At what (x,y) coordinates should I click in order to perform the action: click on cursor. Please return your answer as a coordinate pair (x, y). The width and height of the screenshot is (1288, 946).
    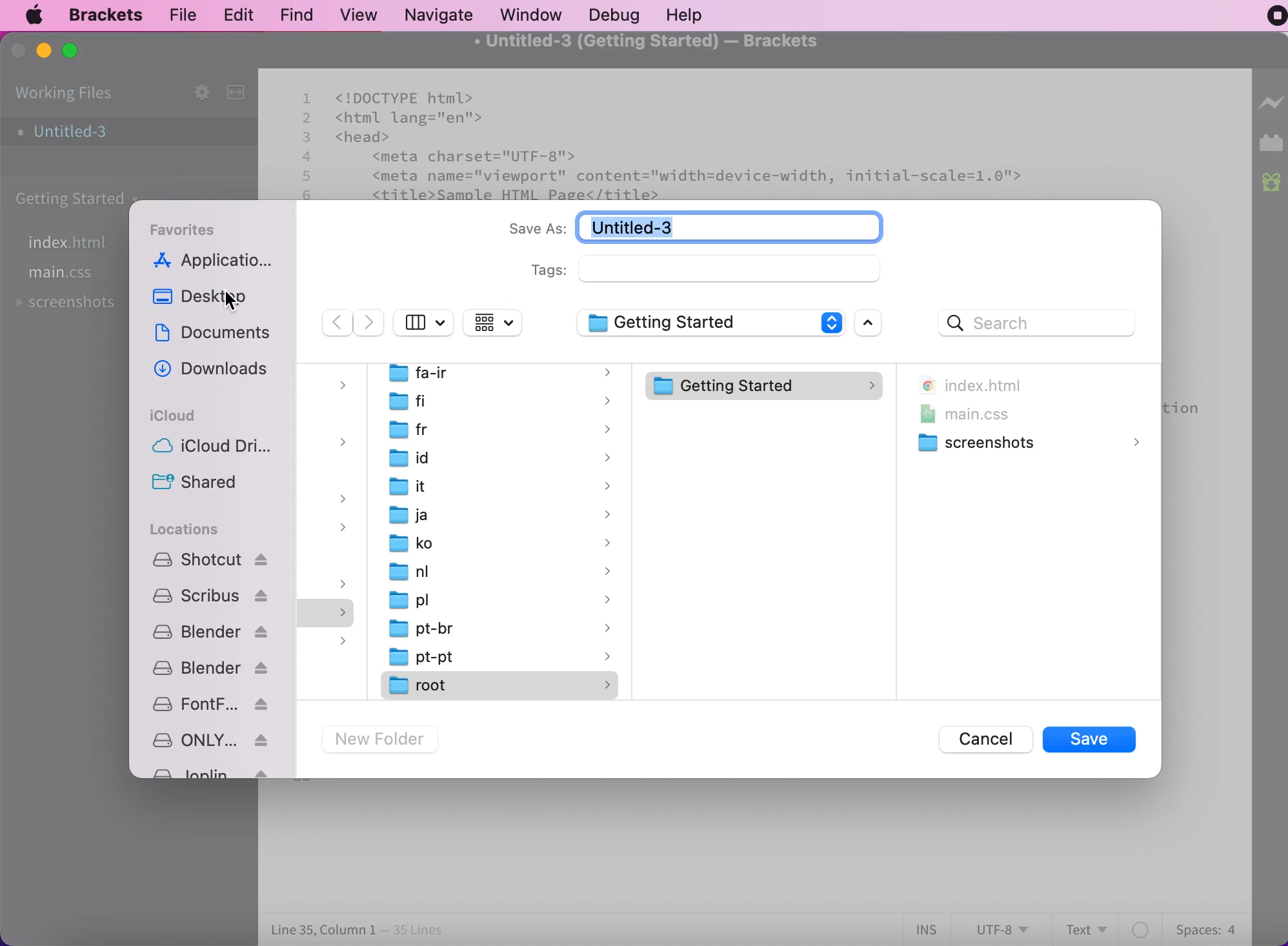
    Looking at the image, I should click on (233, 300).